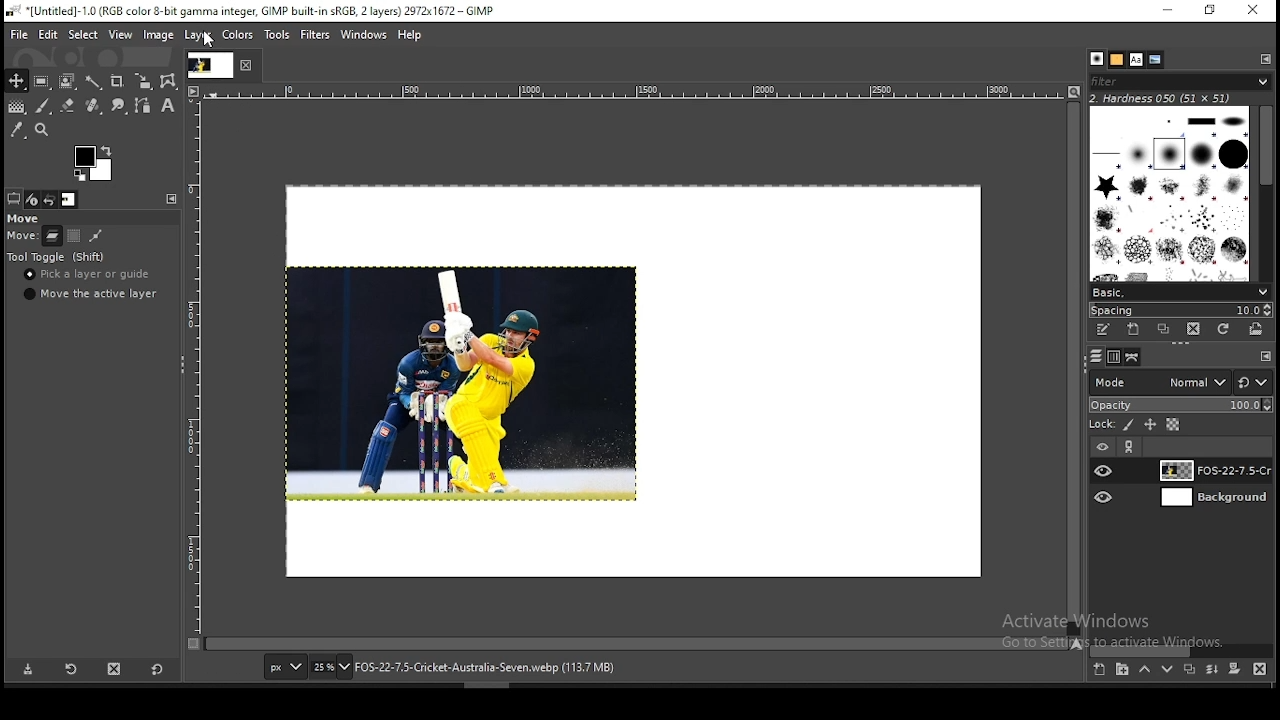 This screenshot has height=720, width=1280. What do you see at coordinates (1260, 669) in the screenshot?
I see `delete layer` at bounding box center [1260, 669].